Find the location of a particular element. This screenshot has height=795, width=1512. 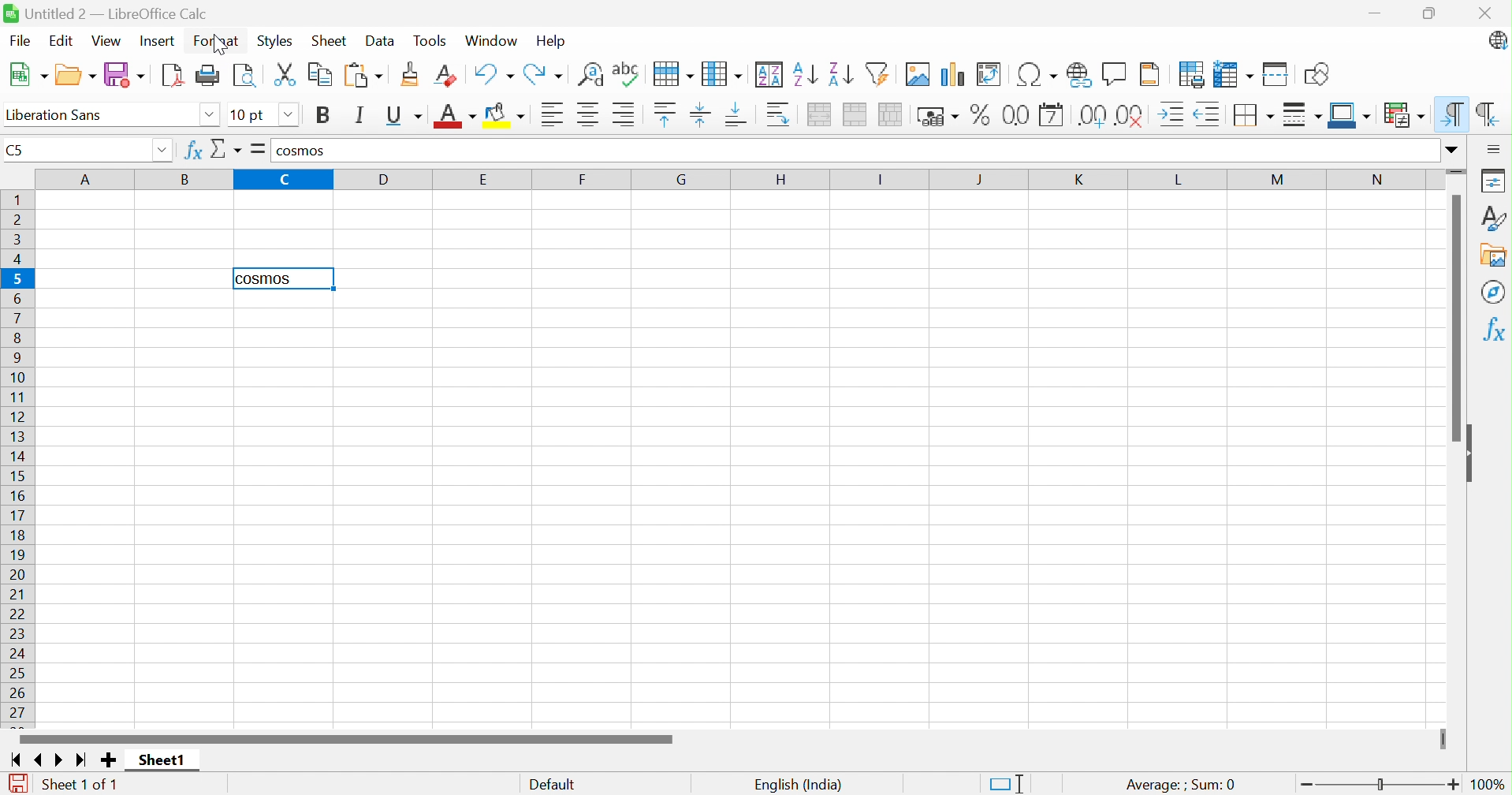

Name box is located at coordinates (79, 151).